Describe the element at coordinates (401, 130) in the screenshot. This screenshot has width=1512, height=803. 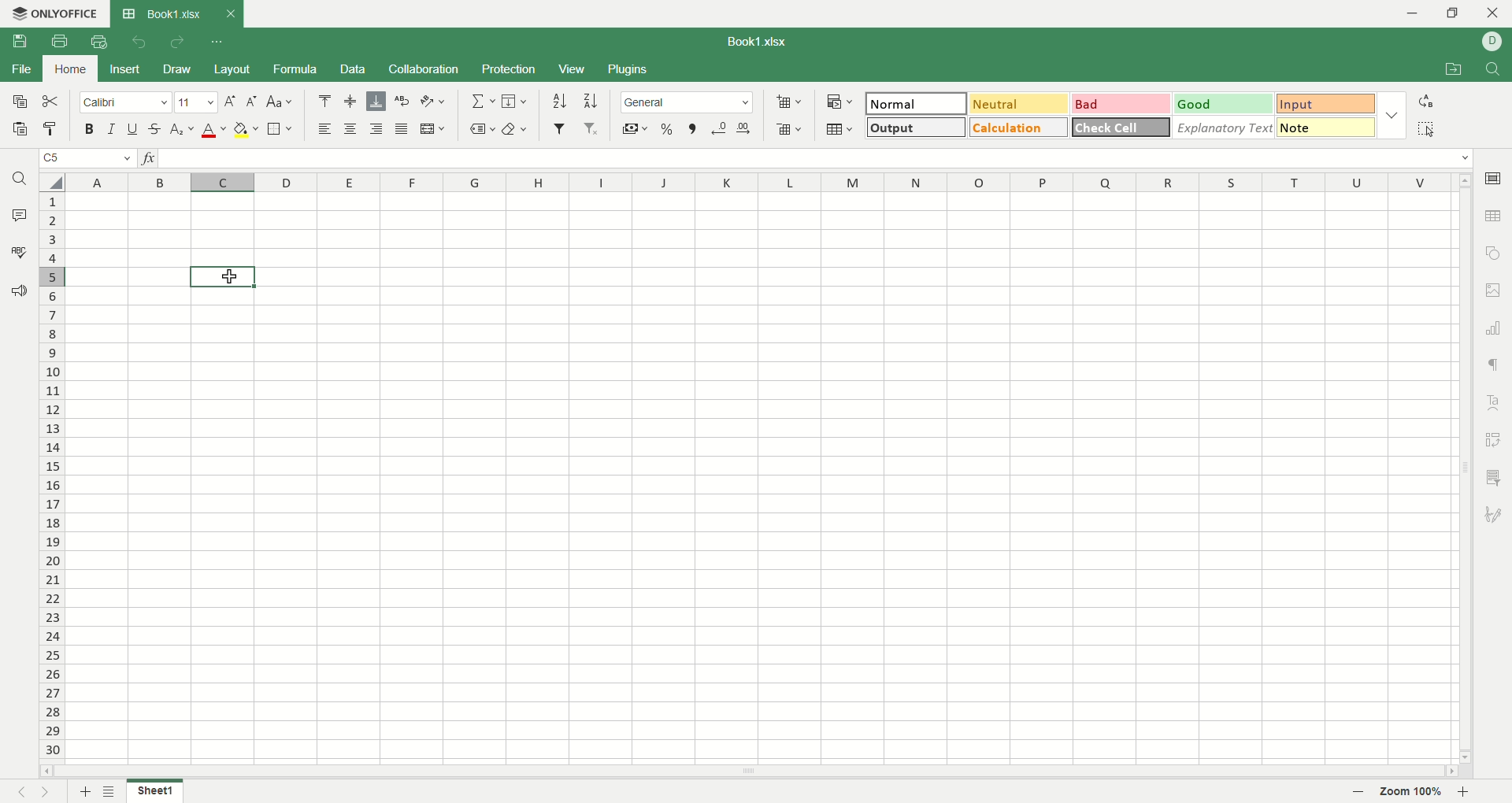
I see `justified` at that location.